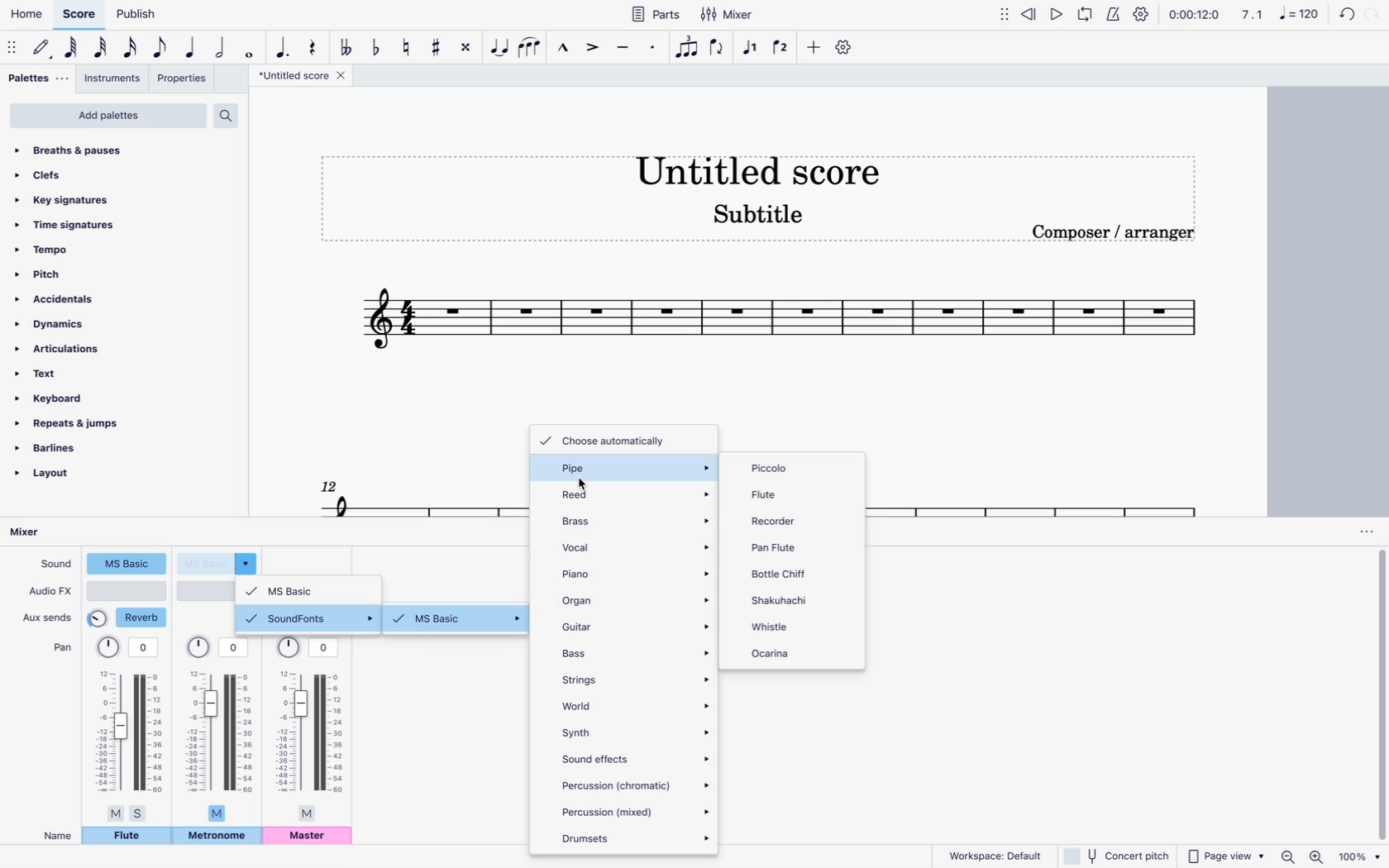 The image size is (1389, 868). I want to click on pan, so click(130, 728).